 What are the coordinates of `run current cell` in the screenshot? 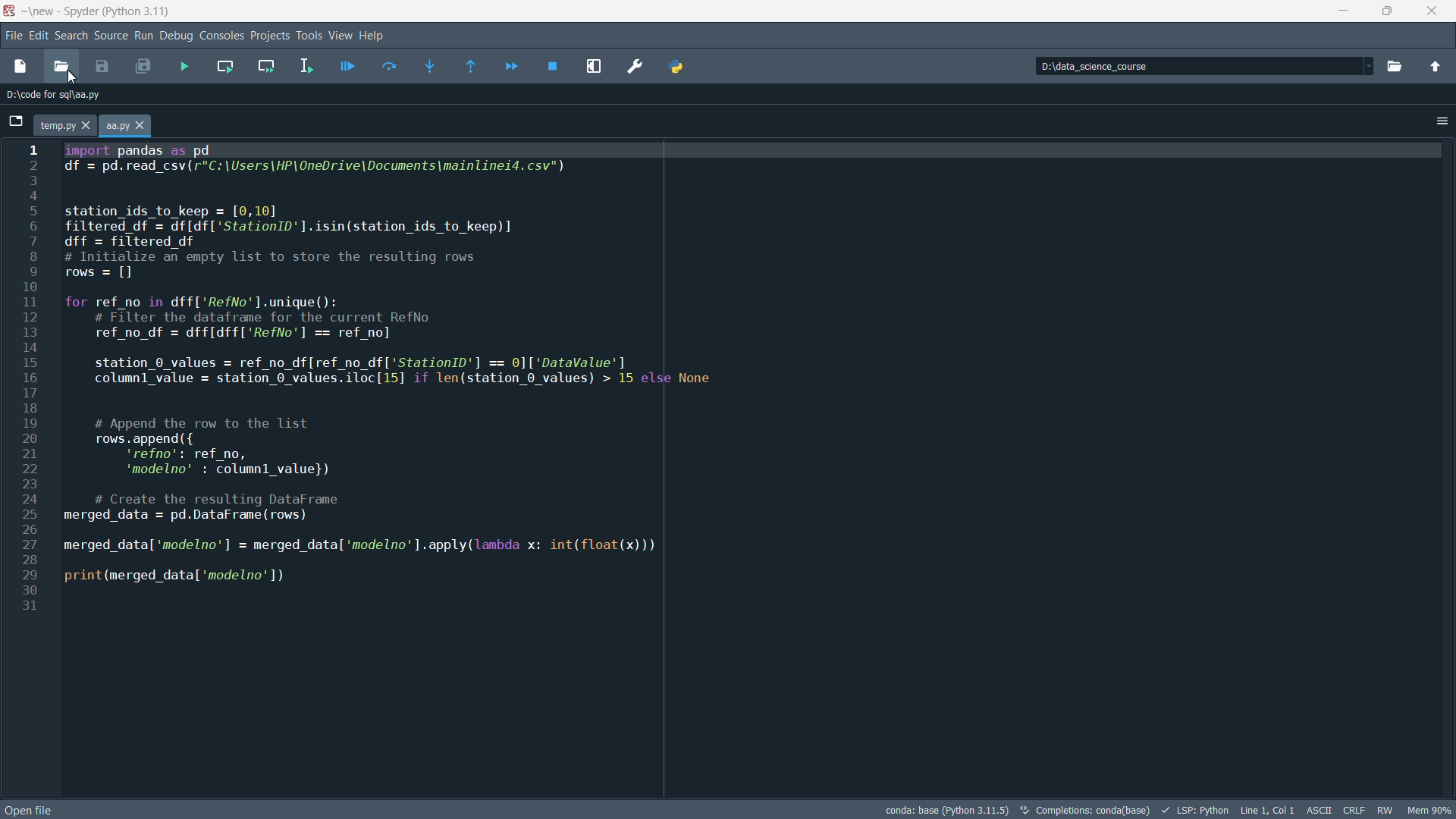 It's located at (226, 68).